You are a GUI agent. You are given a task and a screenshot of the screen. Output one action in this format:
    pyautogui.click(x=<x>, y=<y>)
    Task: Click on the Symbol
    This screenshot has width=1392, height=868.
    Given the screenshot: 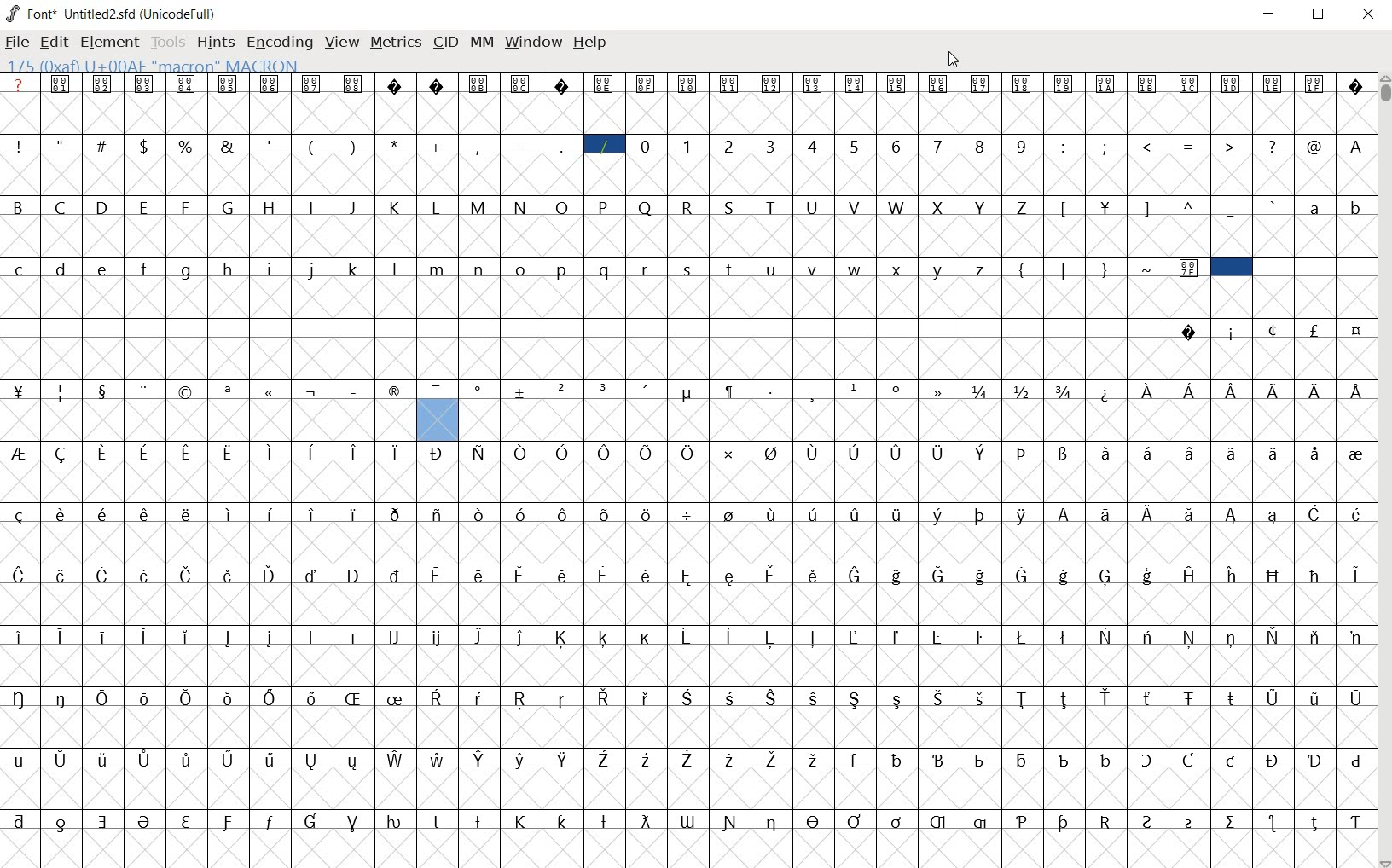 What is the action you would take?
    pyautogui.click(x=1107, y=453)
    